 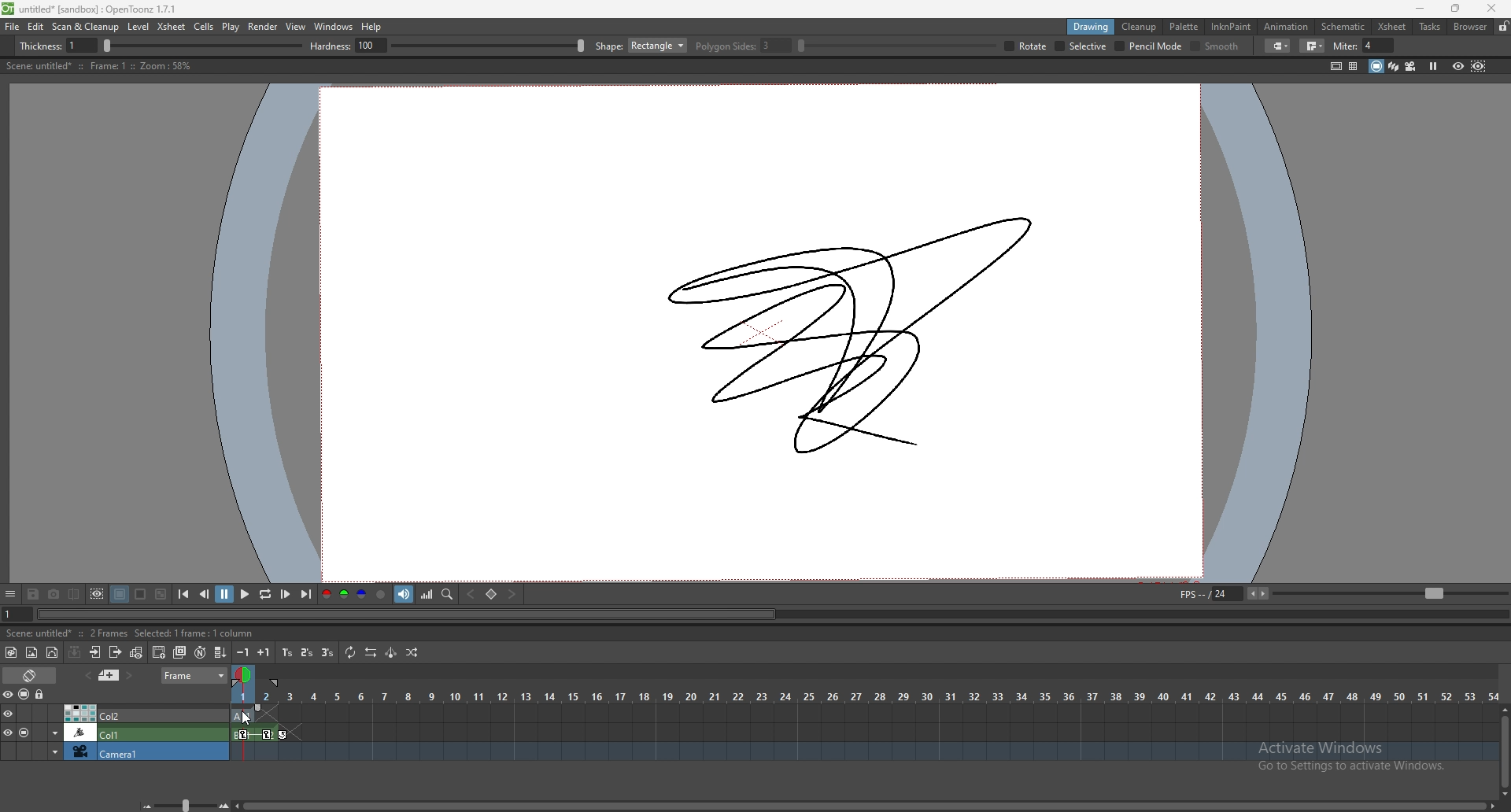 What do you see at coordinates (1420, 9) in the screenshot?
I see `minimize` at bounding box center [1420, 9].